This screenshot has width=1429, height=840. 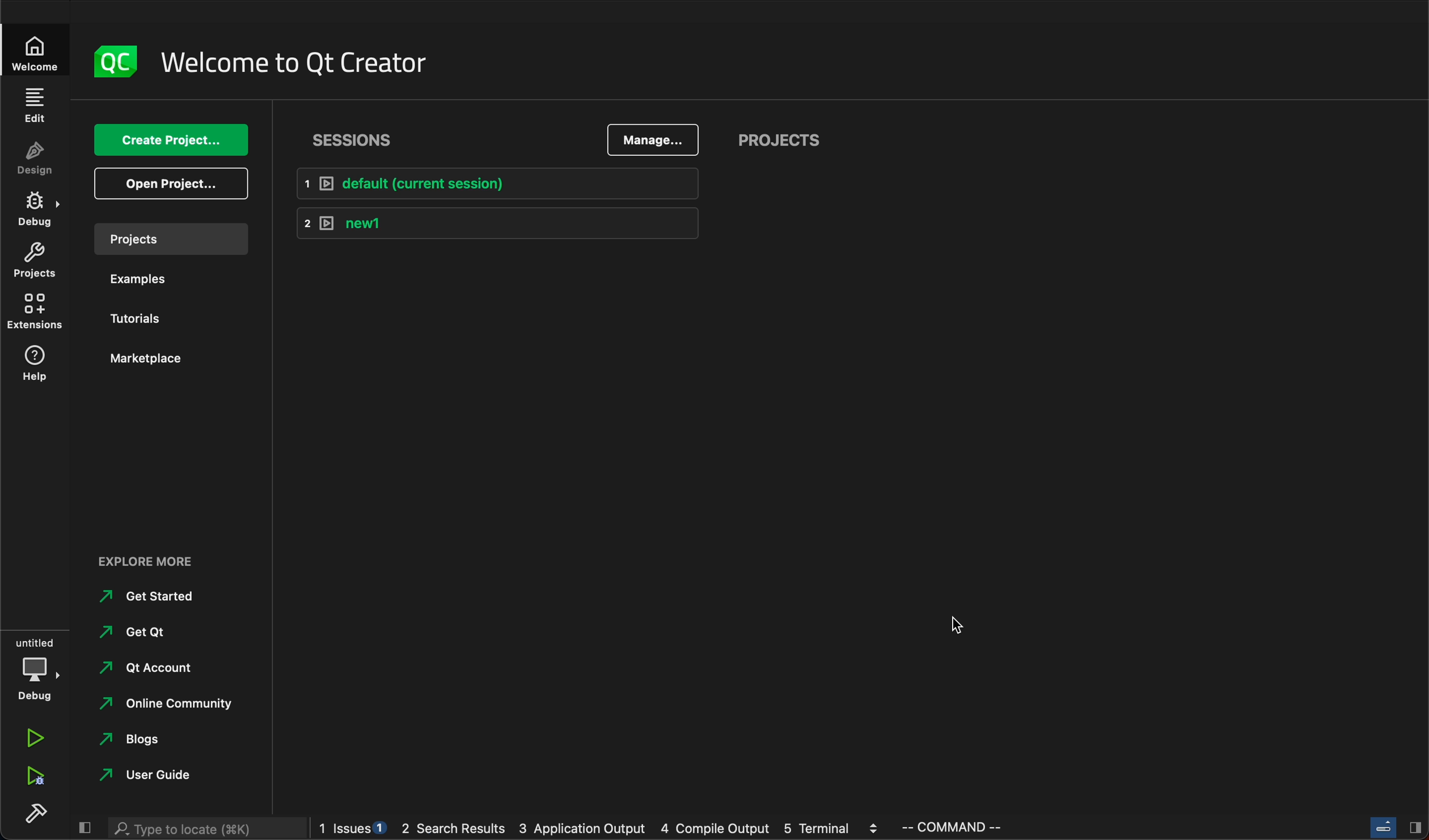 What do you see at coordinates (139, 277) in the screenshot?
I see `examples` at bounding box center [139, 277].